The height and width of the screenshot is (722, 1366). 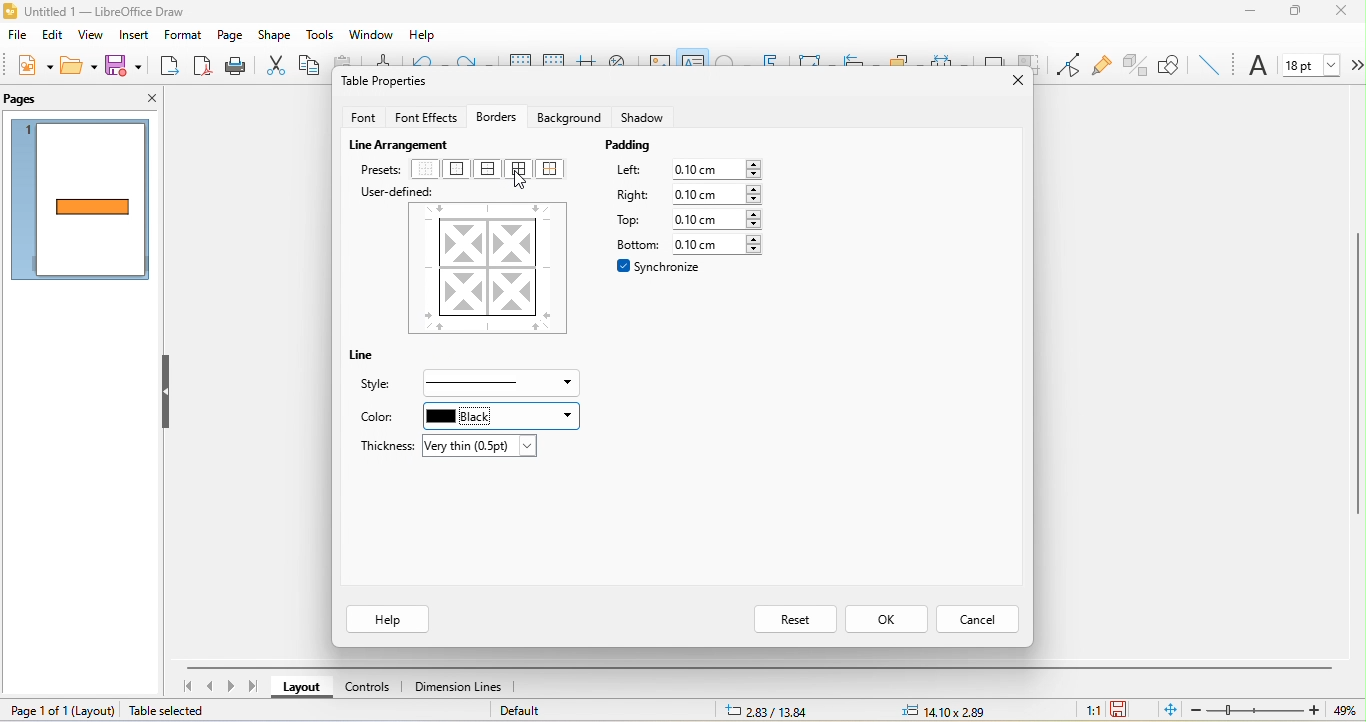 What do you see at coordinates (381, 170) in the screenshot?
I see `presets` at bounding box center [381, 170].